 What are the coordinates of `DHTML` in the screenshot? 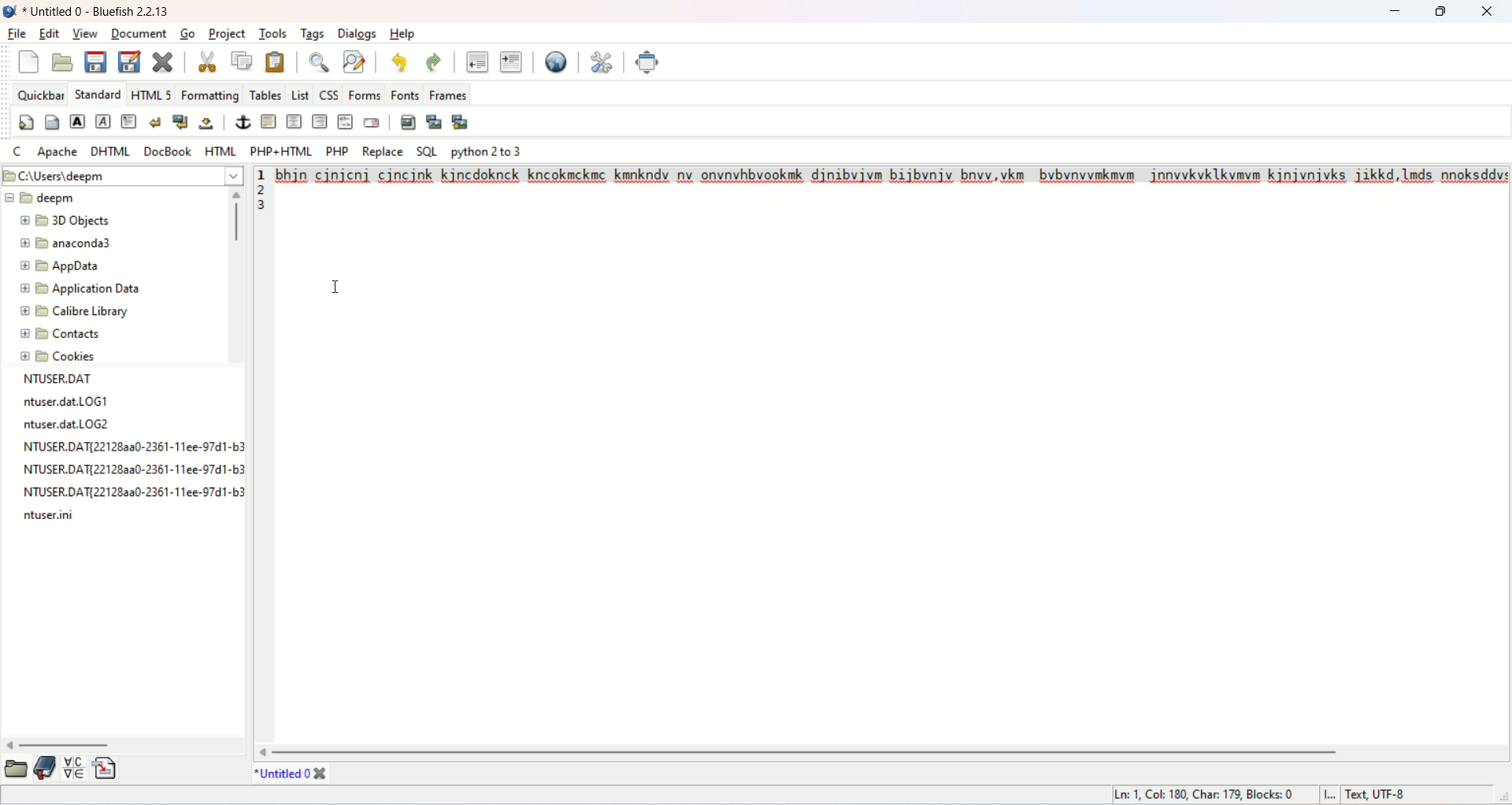 It's located at (109, 151).